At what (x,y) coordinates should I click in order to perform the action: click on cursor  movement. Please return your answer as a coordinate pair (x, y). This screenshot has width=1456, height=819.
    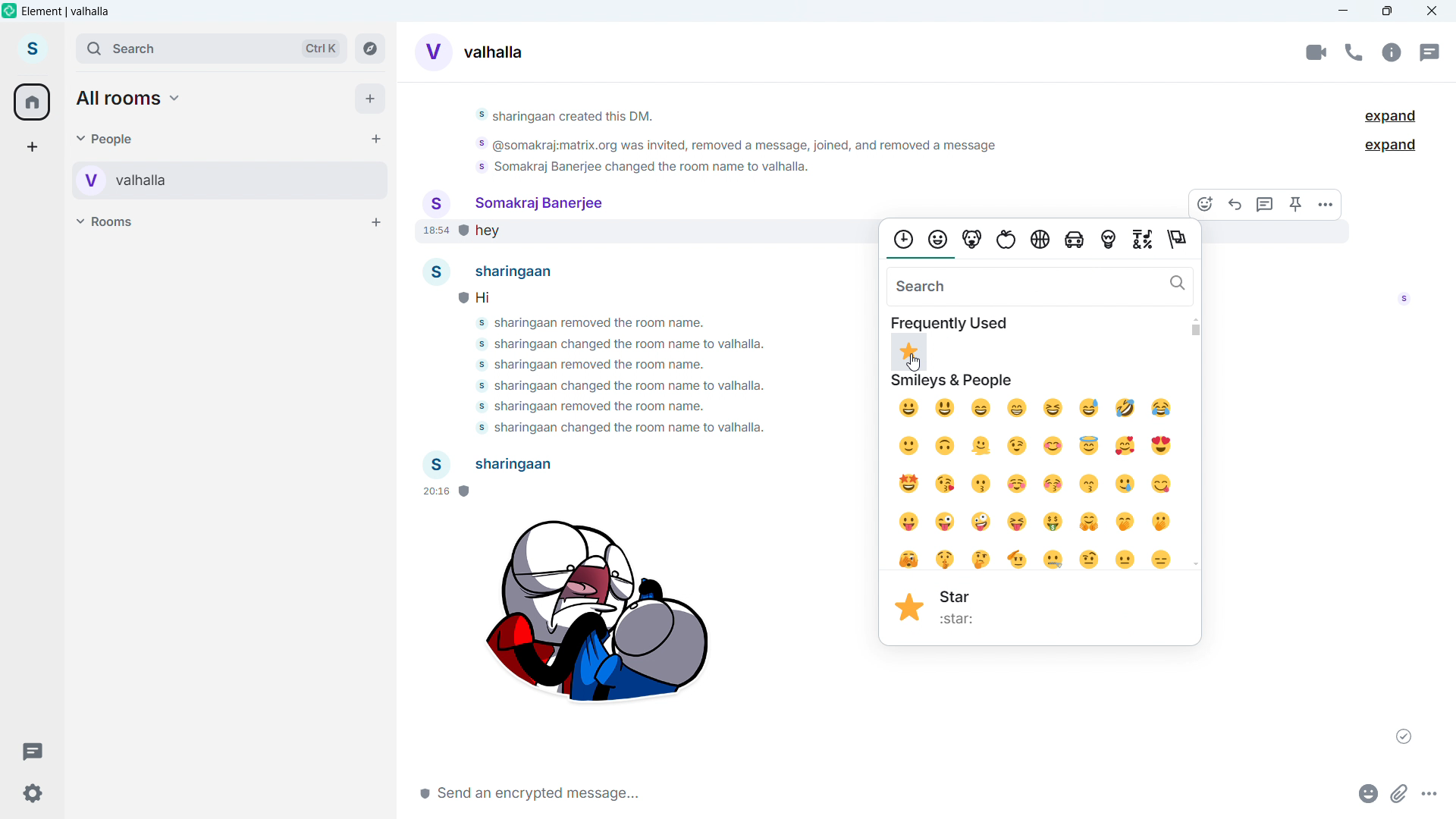
    Looking at the image, I should click on (916, 363).